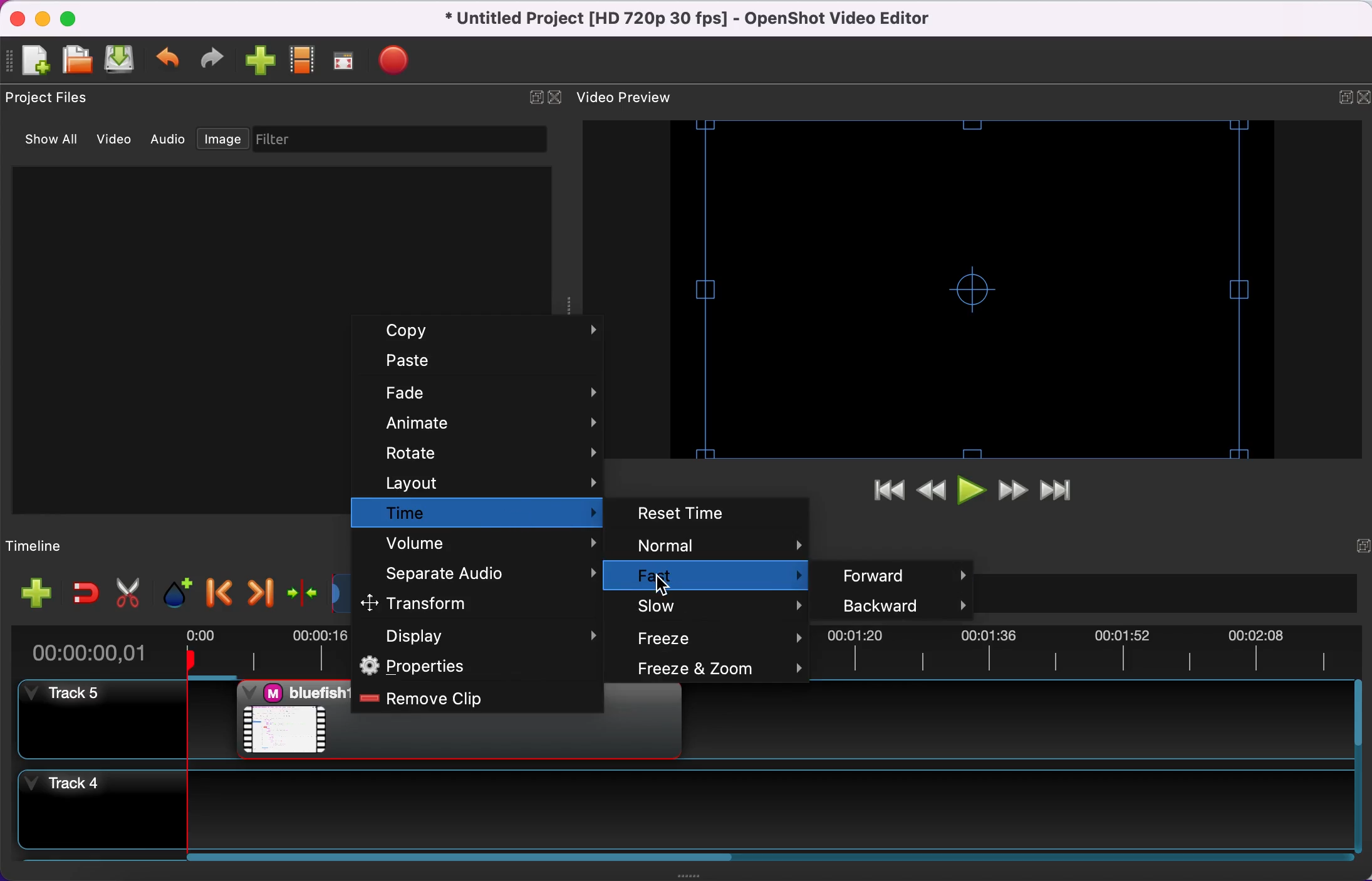  Describe the element at coordinates (928, 495) in the screenshot. I see `rewind` at that location.